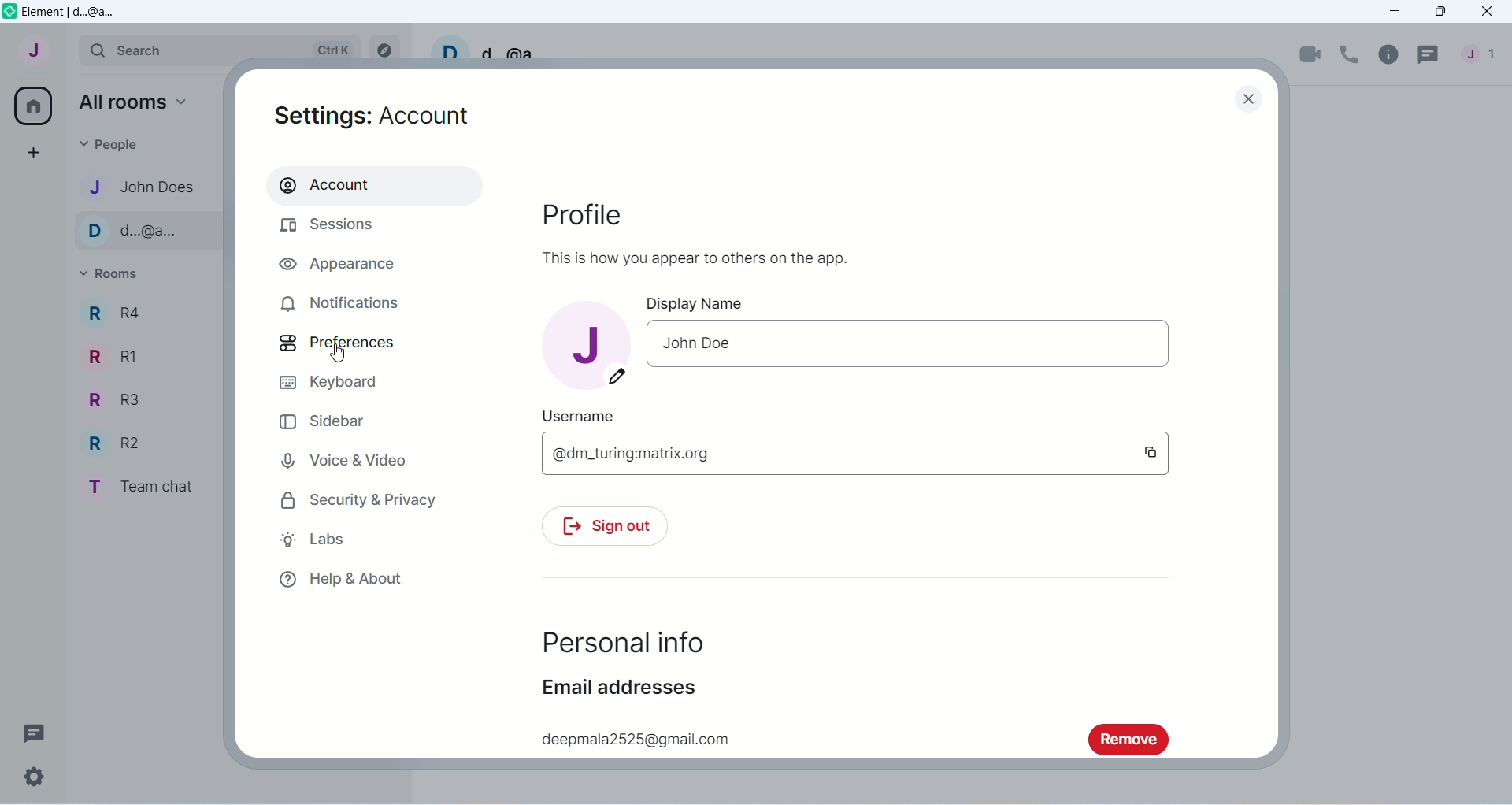  What do you see at coordinates (42, 733) in the screenshot?
I see `Threads` at bounding box center [42, 733].